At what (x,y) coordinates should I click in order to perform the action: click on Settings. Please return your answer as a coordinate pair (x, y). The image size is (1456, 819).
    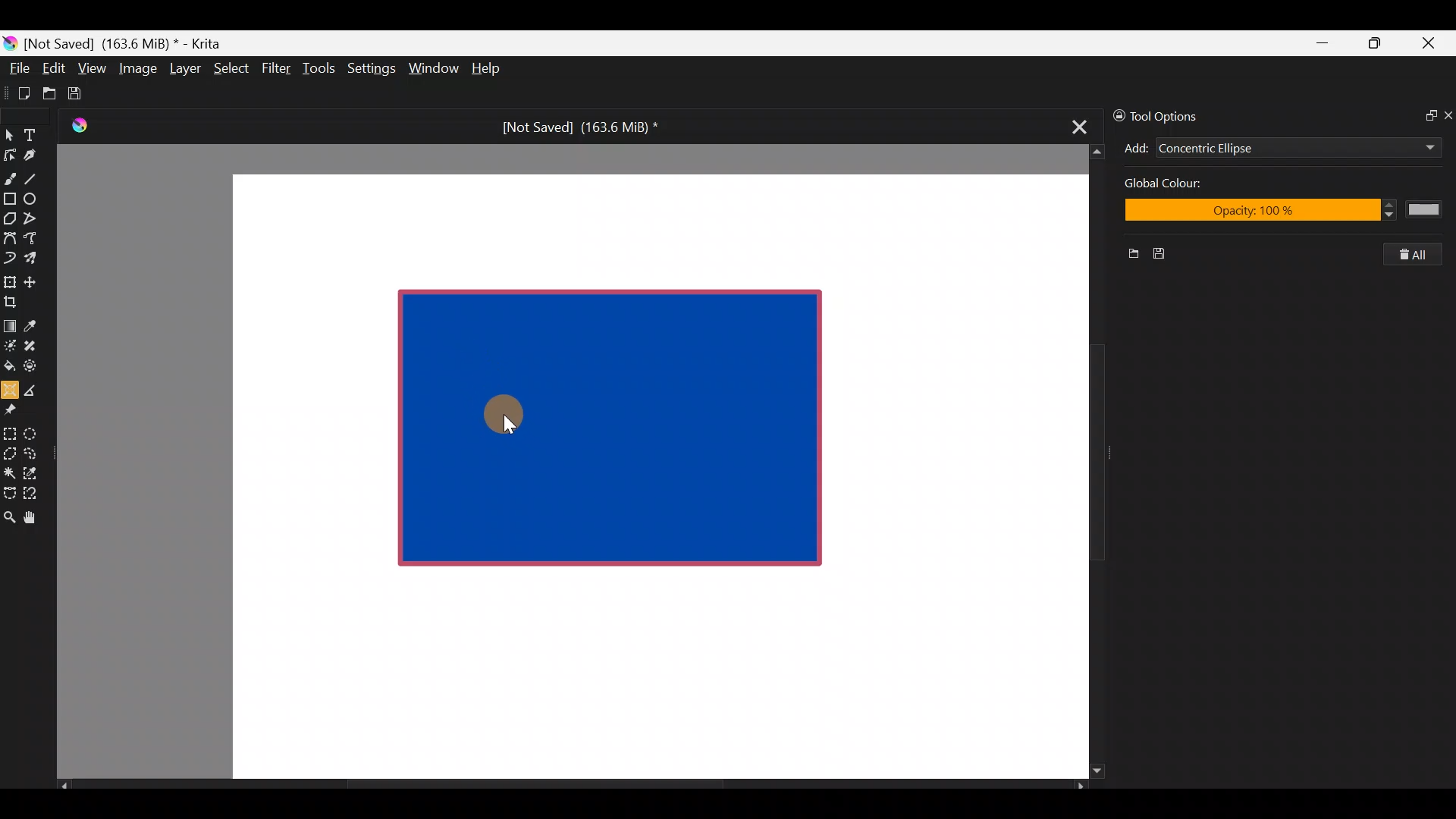
    Looking at the image, I should click on (373, 71).